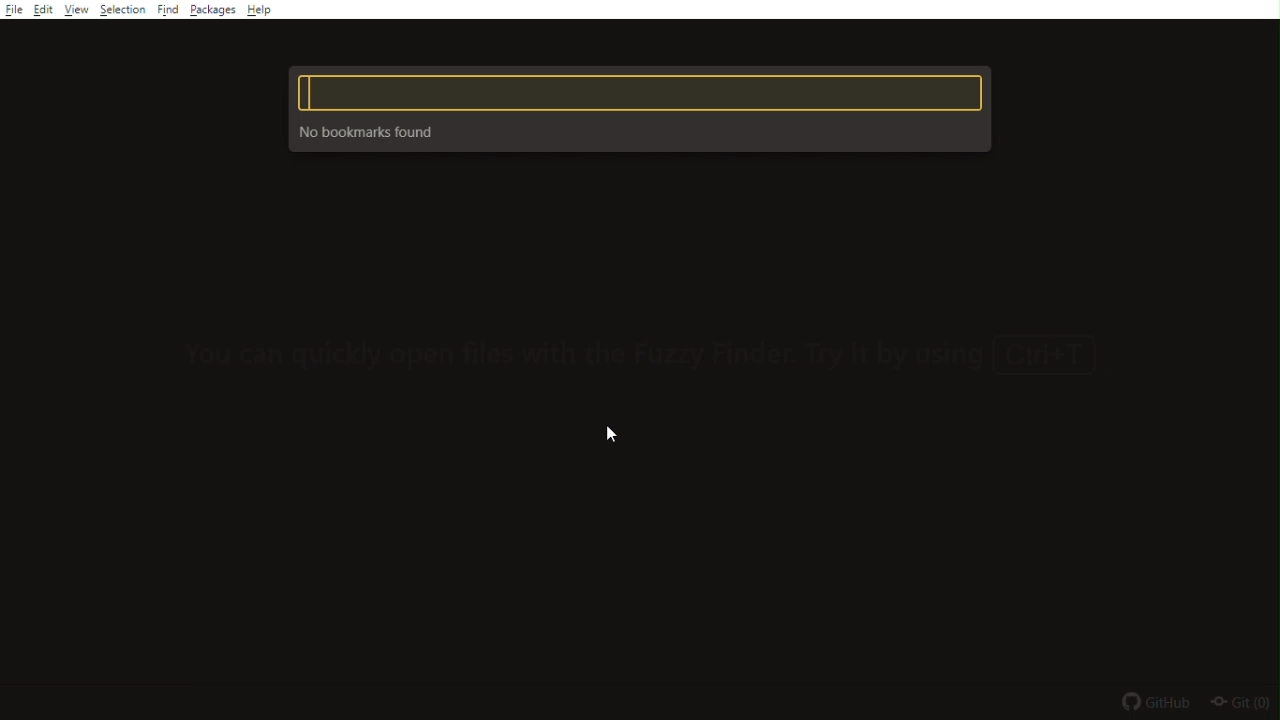 The width and height of the screenshot is (1280, 720). What do you see at coordinates (77, 13) in the screenshot?
I see `View` at bounding box center [77, 13].